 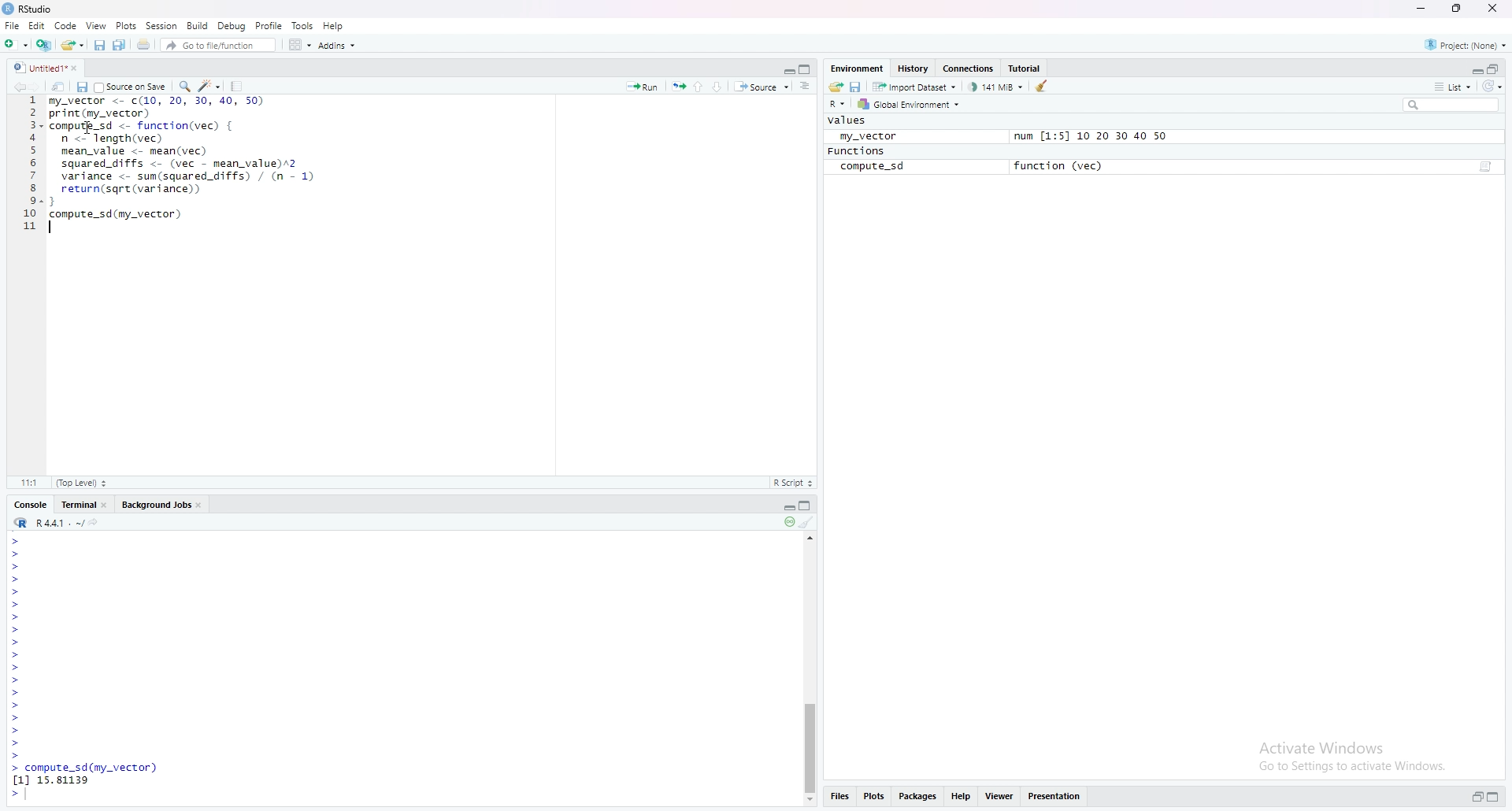 I want to click on Connections, so click(x=969, y=69).